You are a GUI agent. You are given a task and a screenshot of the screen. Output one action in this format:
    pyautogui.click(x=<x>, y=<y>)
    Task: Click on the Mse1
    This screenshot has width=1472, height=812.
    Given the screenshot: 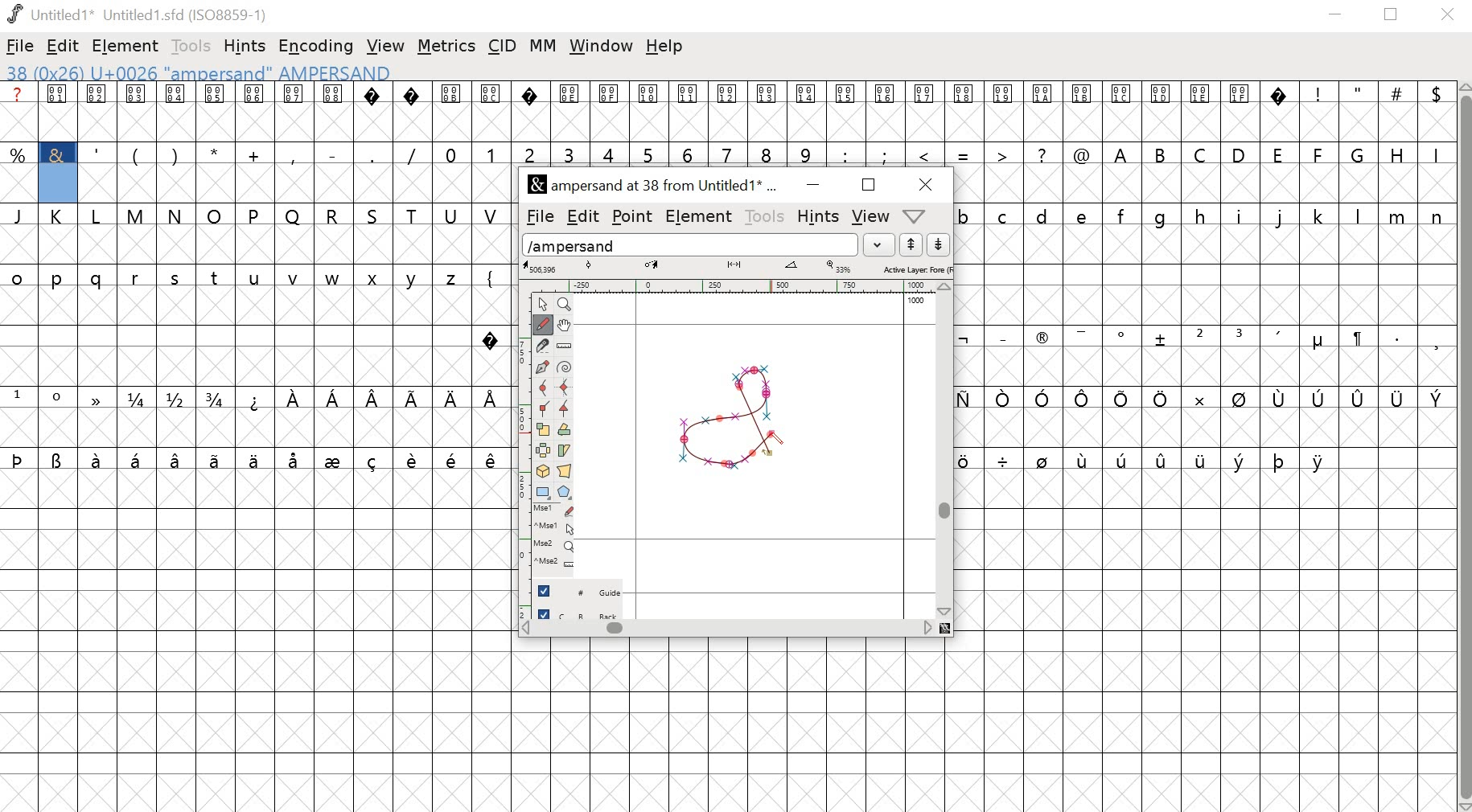 What is the action you would take?
    pyautogui.click(x=555, y=510)
    